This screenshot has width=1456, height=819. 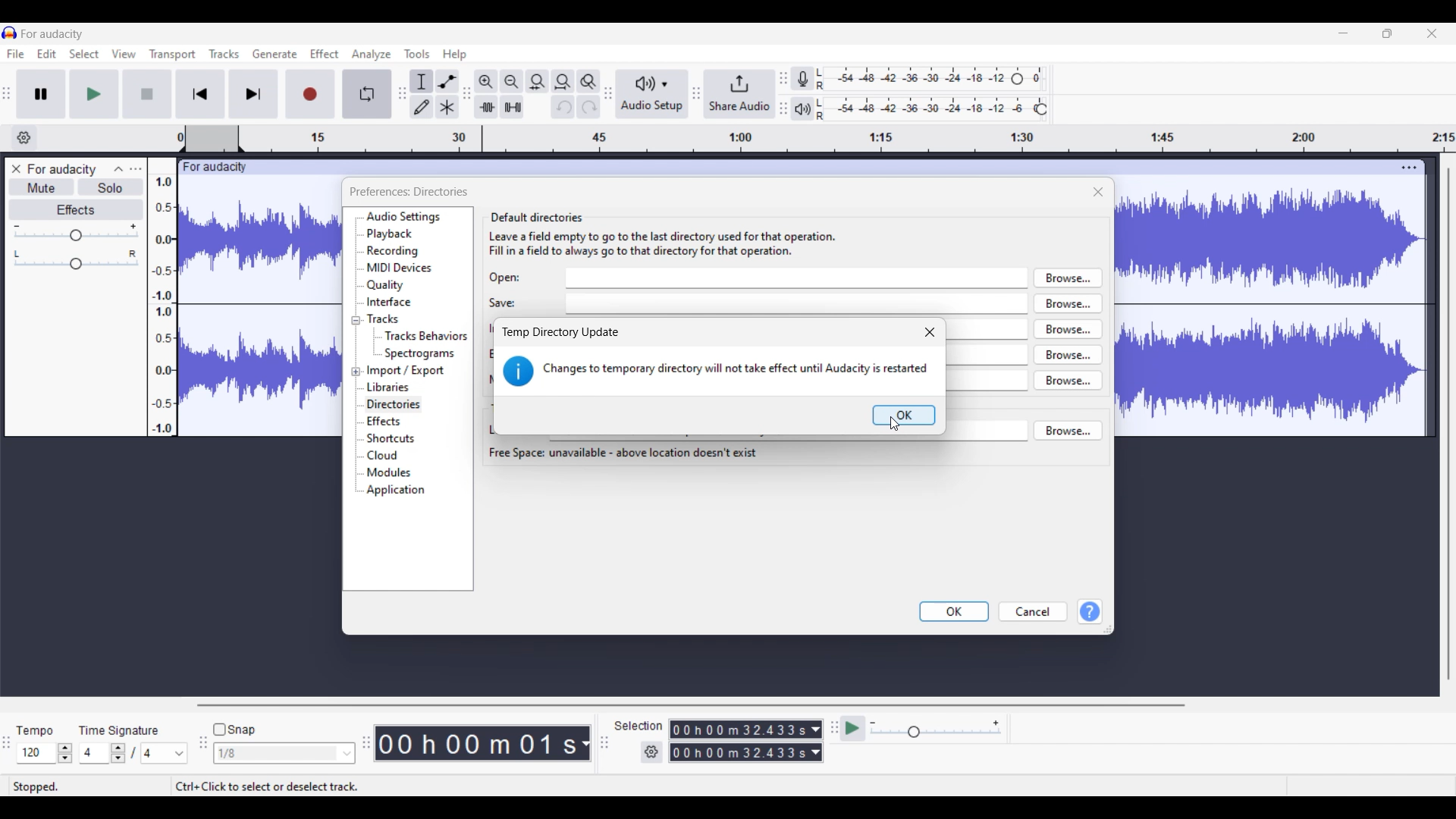 What do you see at coordinates (384, 421) in the screenshot?
I see `Effects` at bounding box center [384, 421].